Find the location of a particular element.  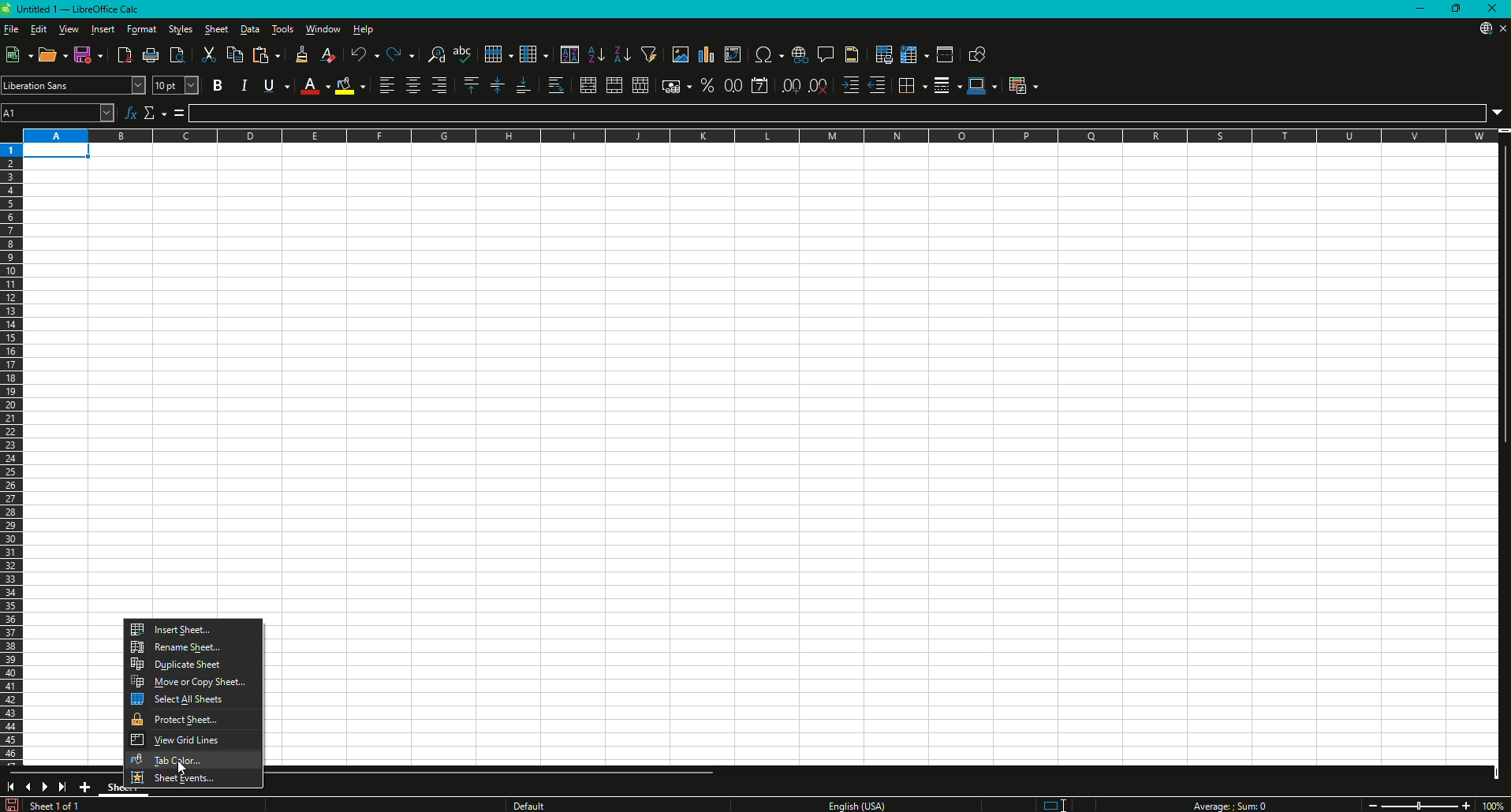

Split Window is located at coordinates (946, 54).